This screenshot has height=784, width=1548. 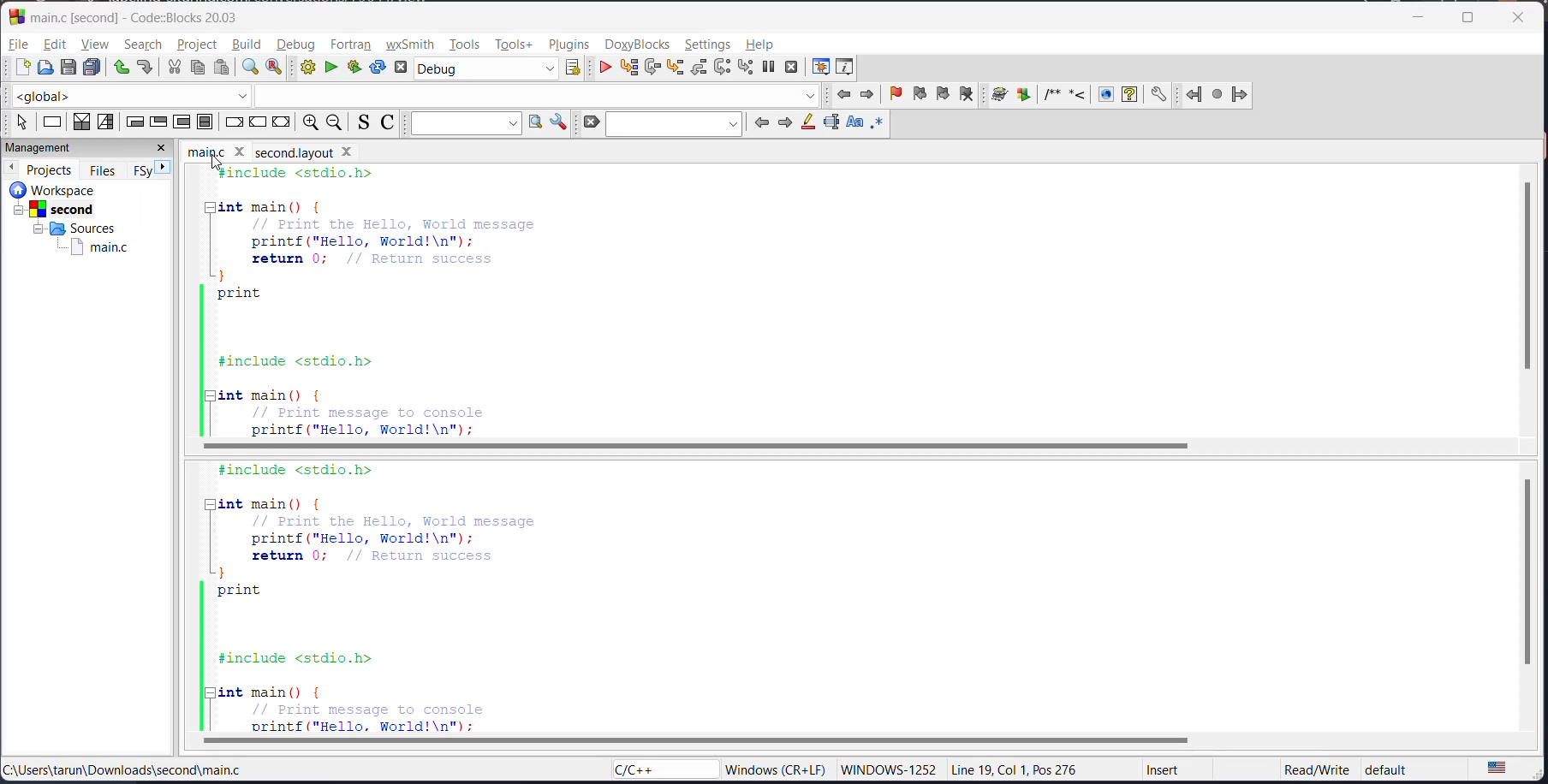 I want to click on ‘Read/Write, so click(x=1318, y=769).